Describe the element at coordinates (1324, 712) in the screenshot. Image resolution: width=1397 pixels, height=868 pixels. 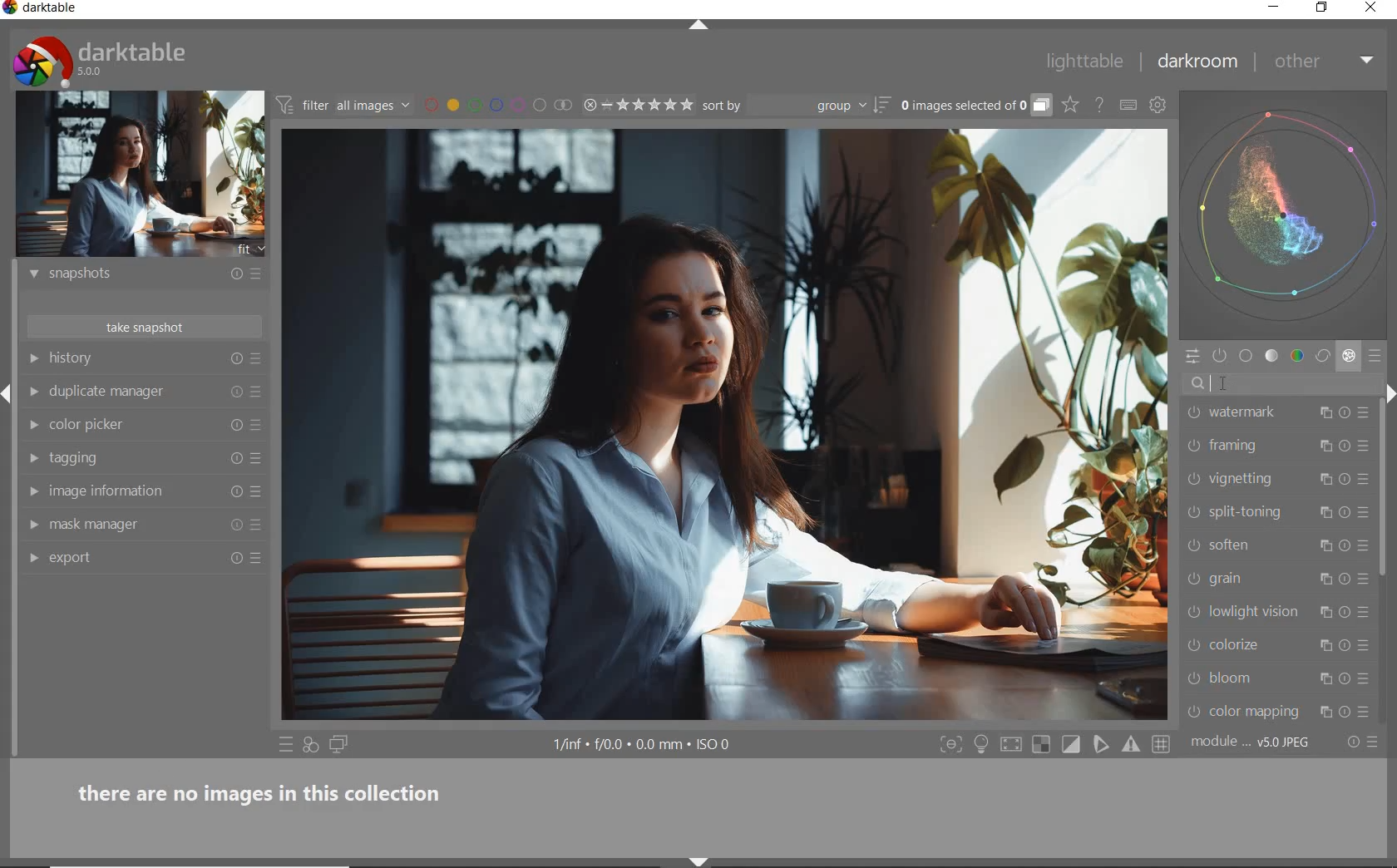
I see `multiple instance actions` at that location.